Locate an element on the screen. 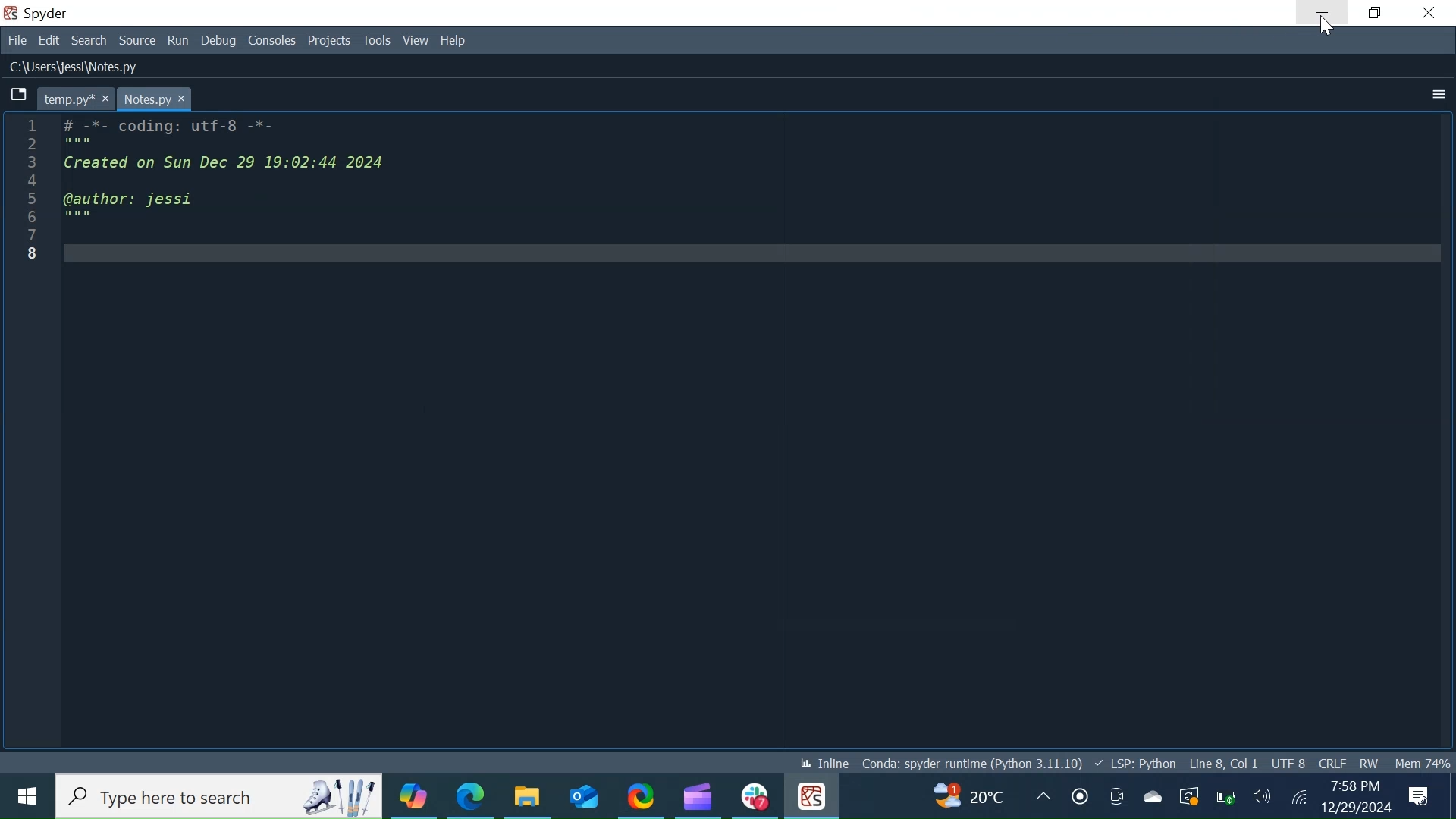 This screenshot has height=819, width=1456. Charge is located at coordinates (1226, 796).